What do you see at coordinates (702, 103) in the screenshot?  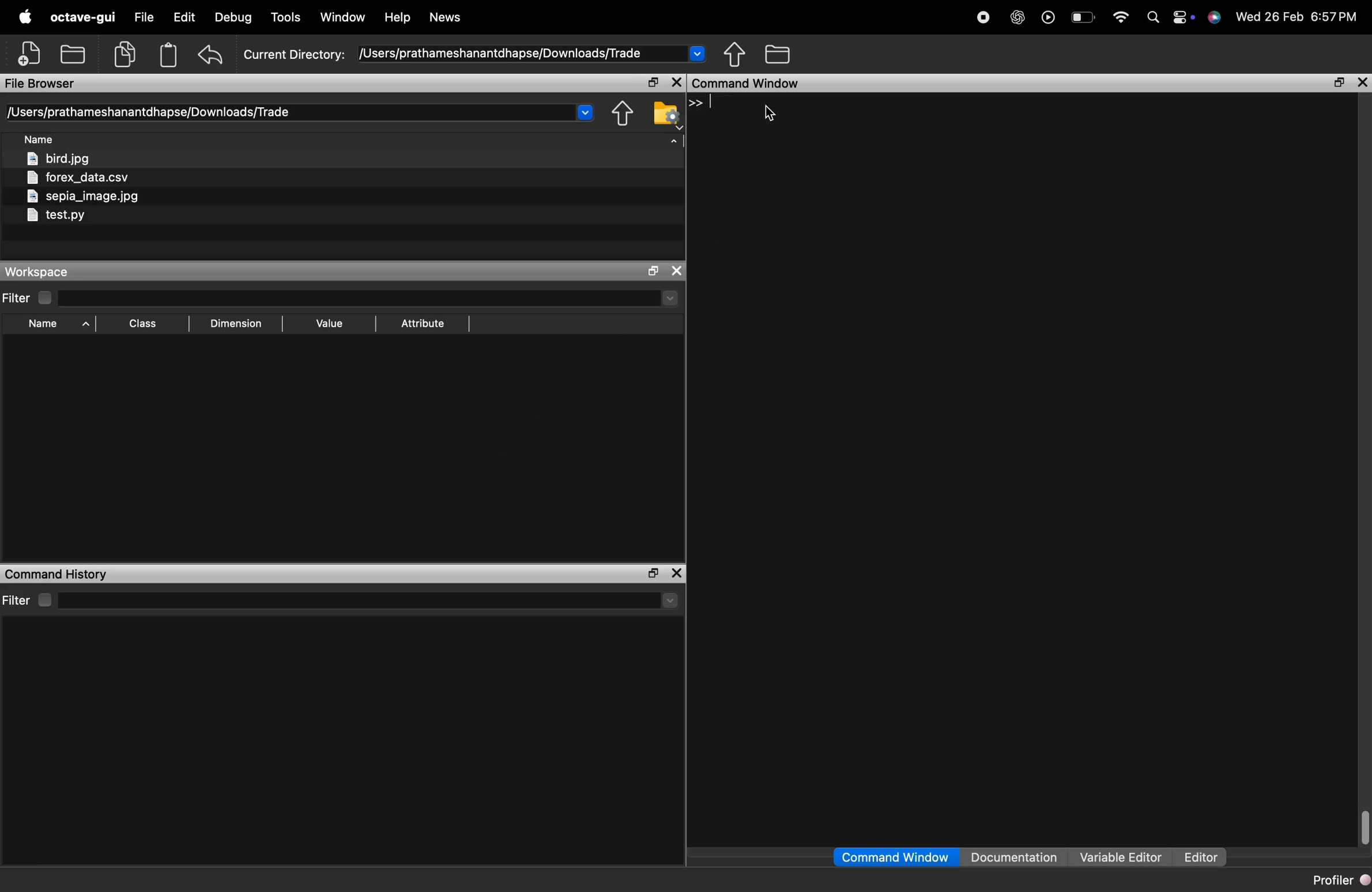 I see `line 1` at bounding box center [702, 103].